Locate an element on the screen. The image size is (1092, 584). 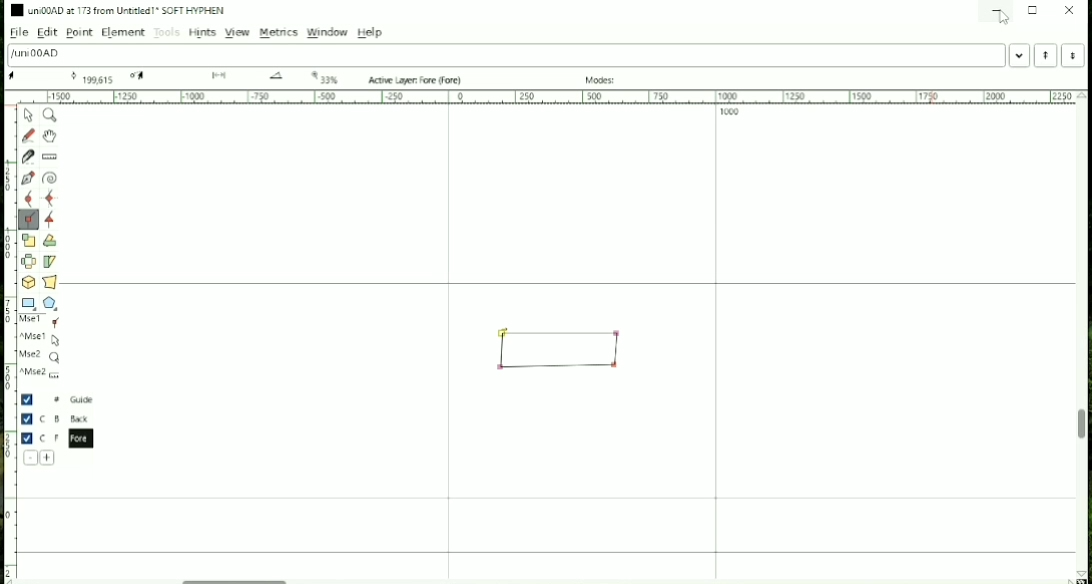
Add a point, then drag out its control points is located at coordinates (29, 178).